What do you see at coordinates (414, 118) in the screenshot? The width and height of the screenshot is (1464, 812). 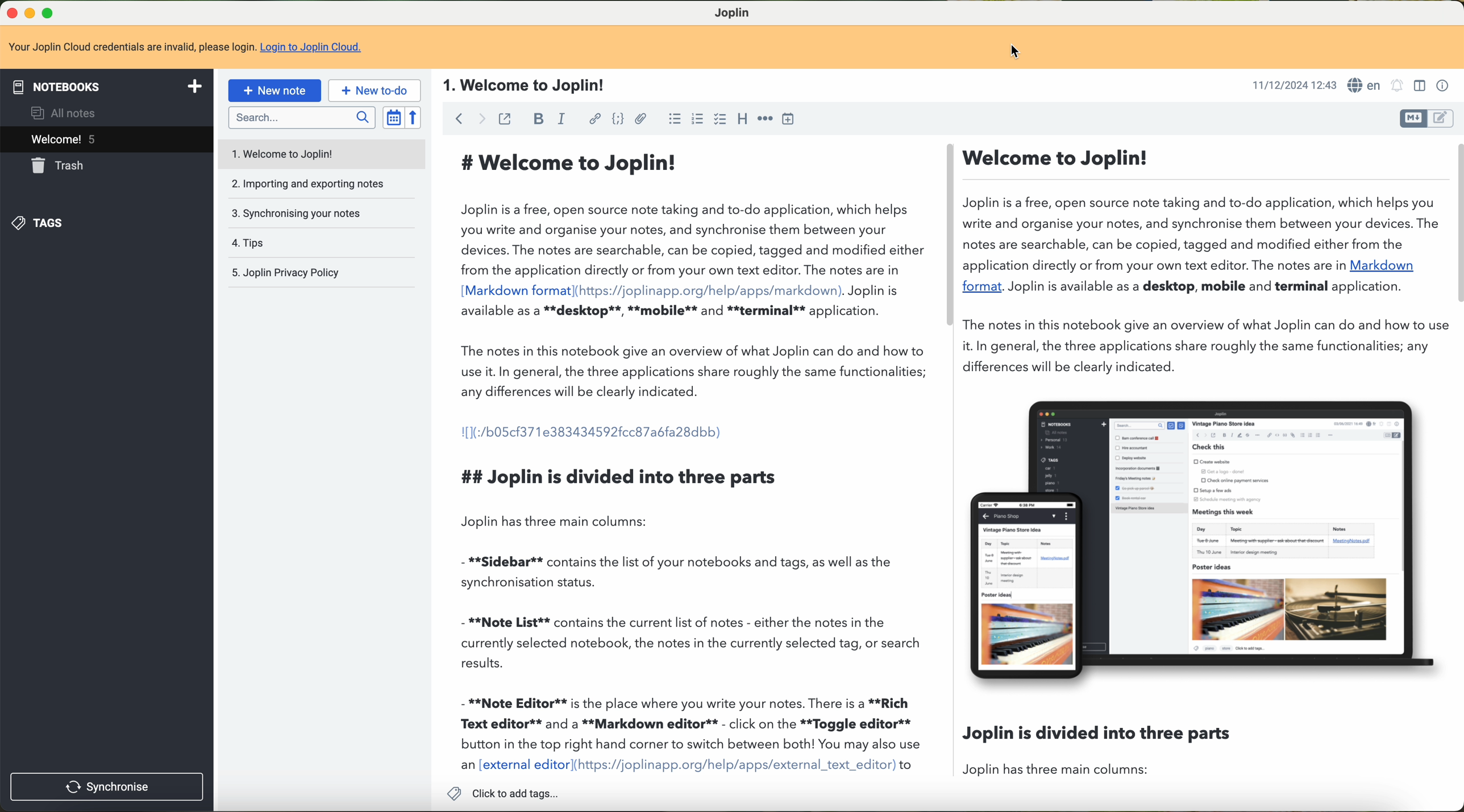 I see `reverse sort order` at bounding box center [414, 118].